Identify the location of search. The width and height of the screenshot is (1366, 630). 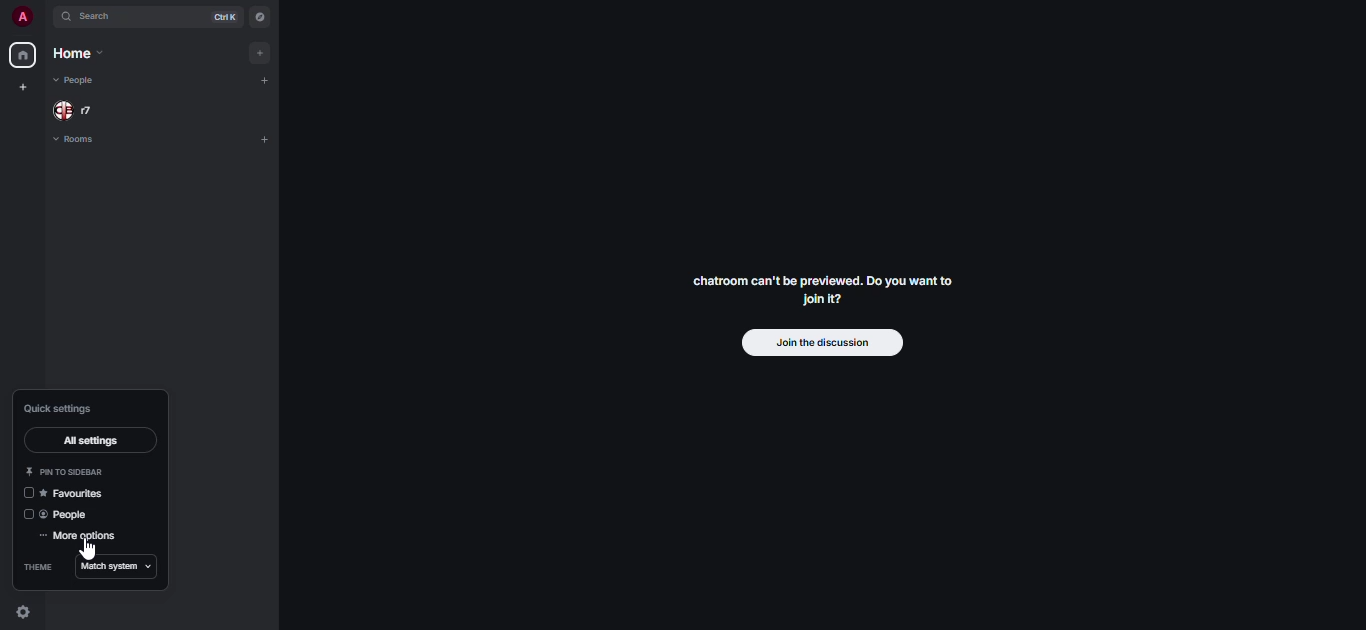
(95, 16).